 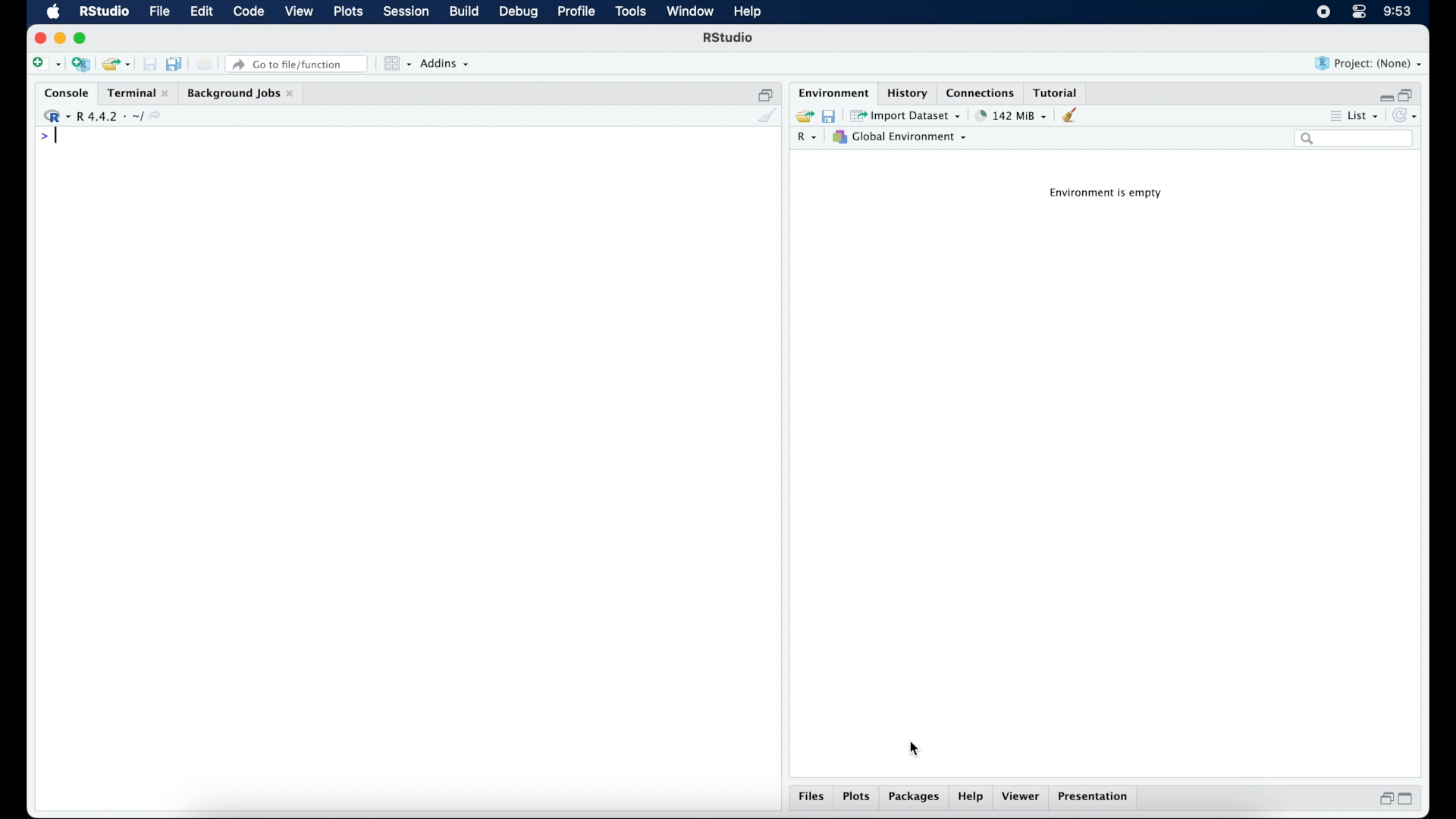 I want to click on R Studio, so click(x=730, y=38).